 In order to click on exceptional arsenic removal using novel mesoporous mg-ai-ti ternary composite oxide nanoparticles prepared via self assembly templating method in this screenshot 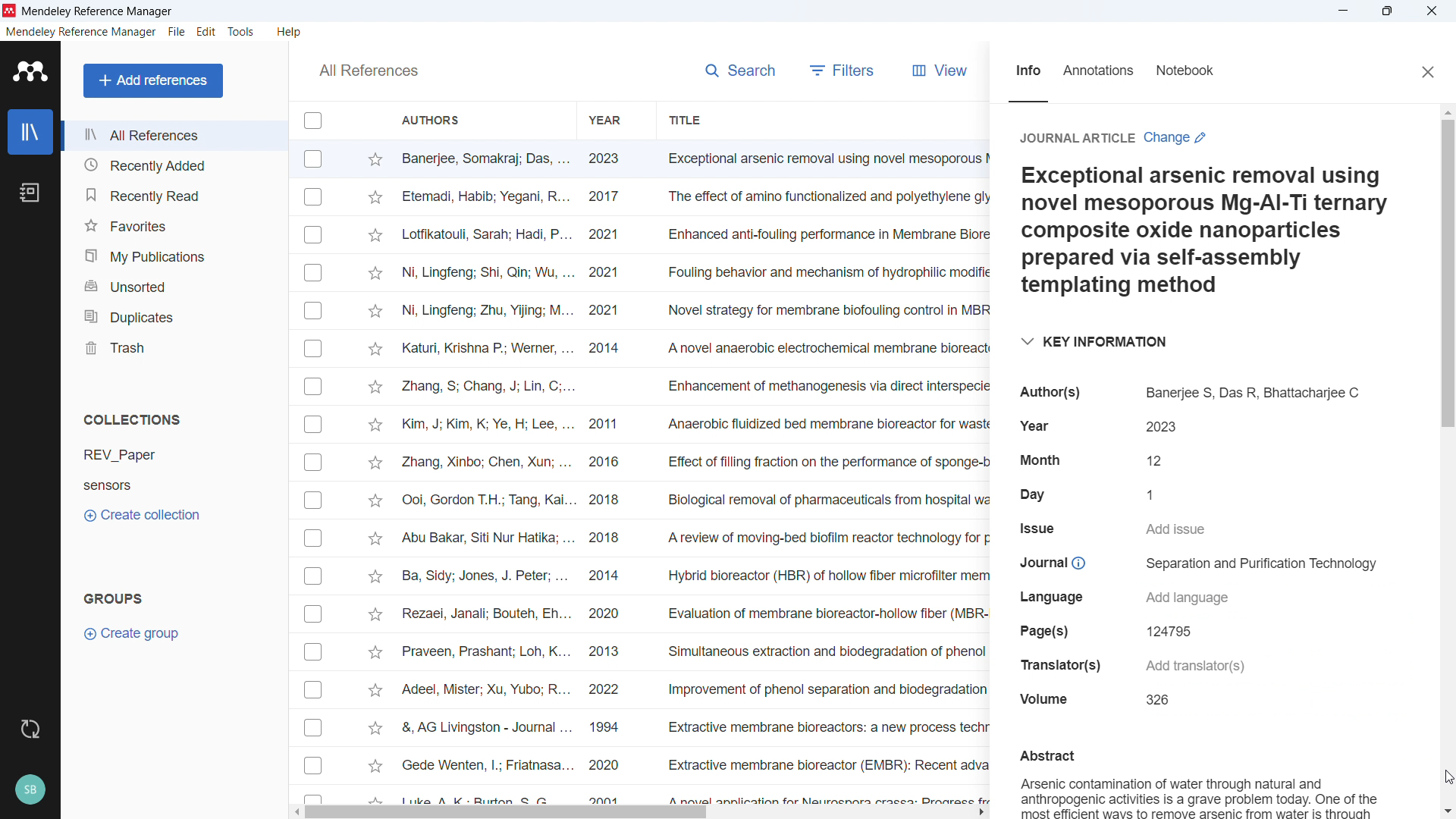, I will do `click(1203, 232)`.